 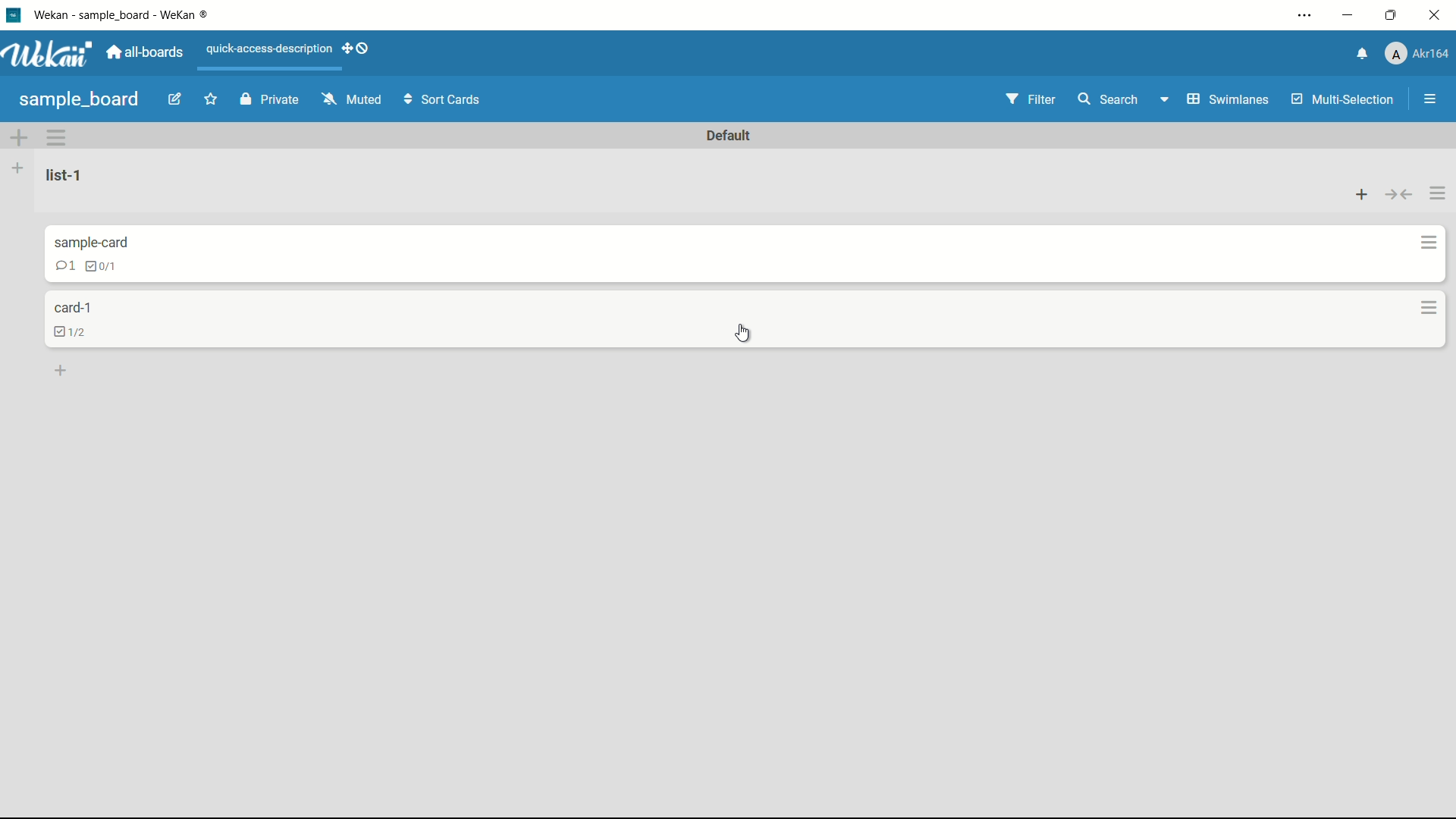 What do you see at coordinates (352, 99) in the screenshot?
I see `muted` at bounding box center [352, 99].